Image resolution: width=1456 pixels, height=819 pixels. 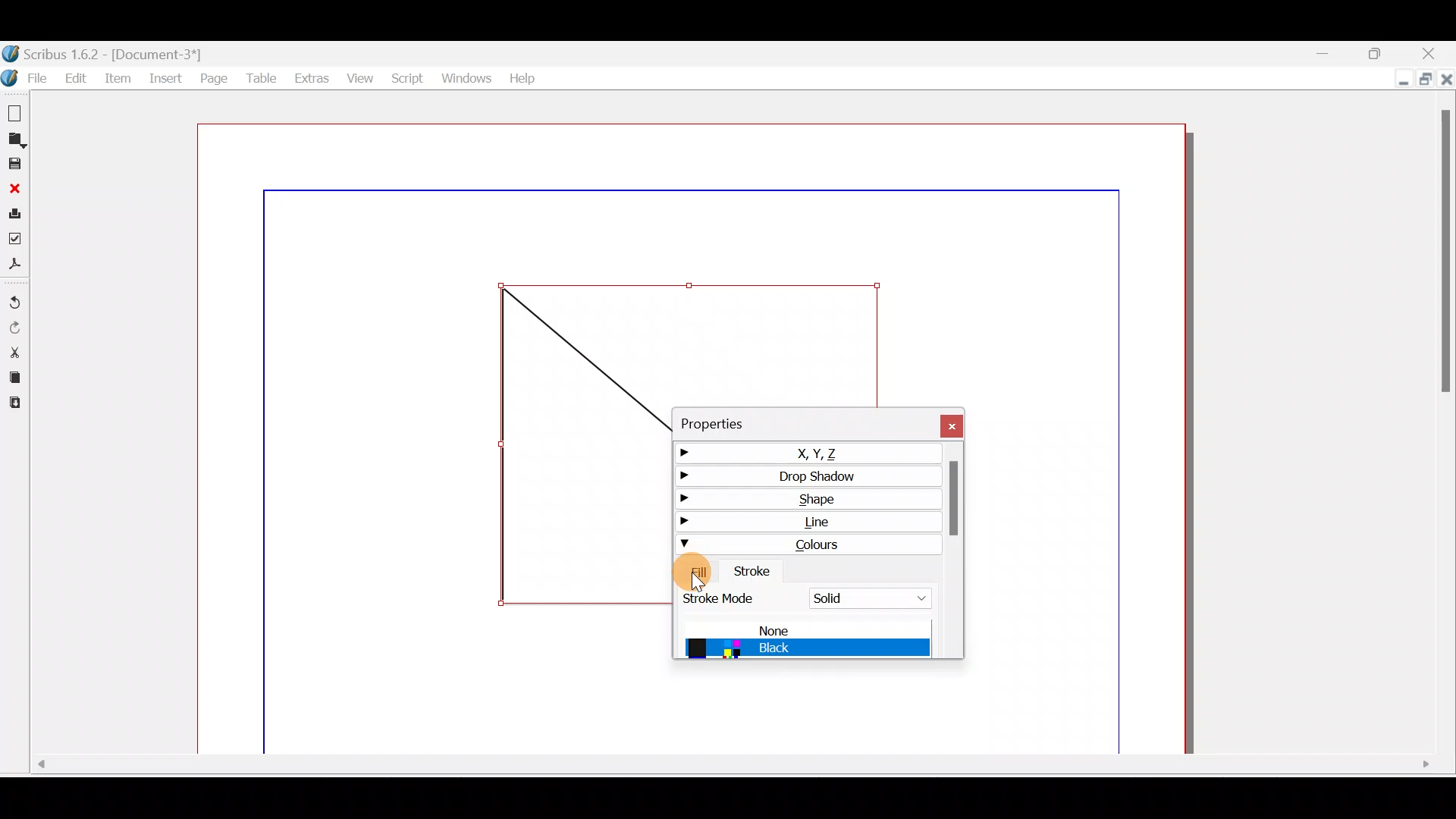 I want to click on Minimise, so click(x=1395, y=81).